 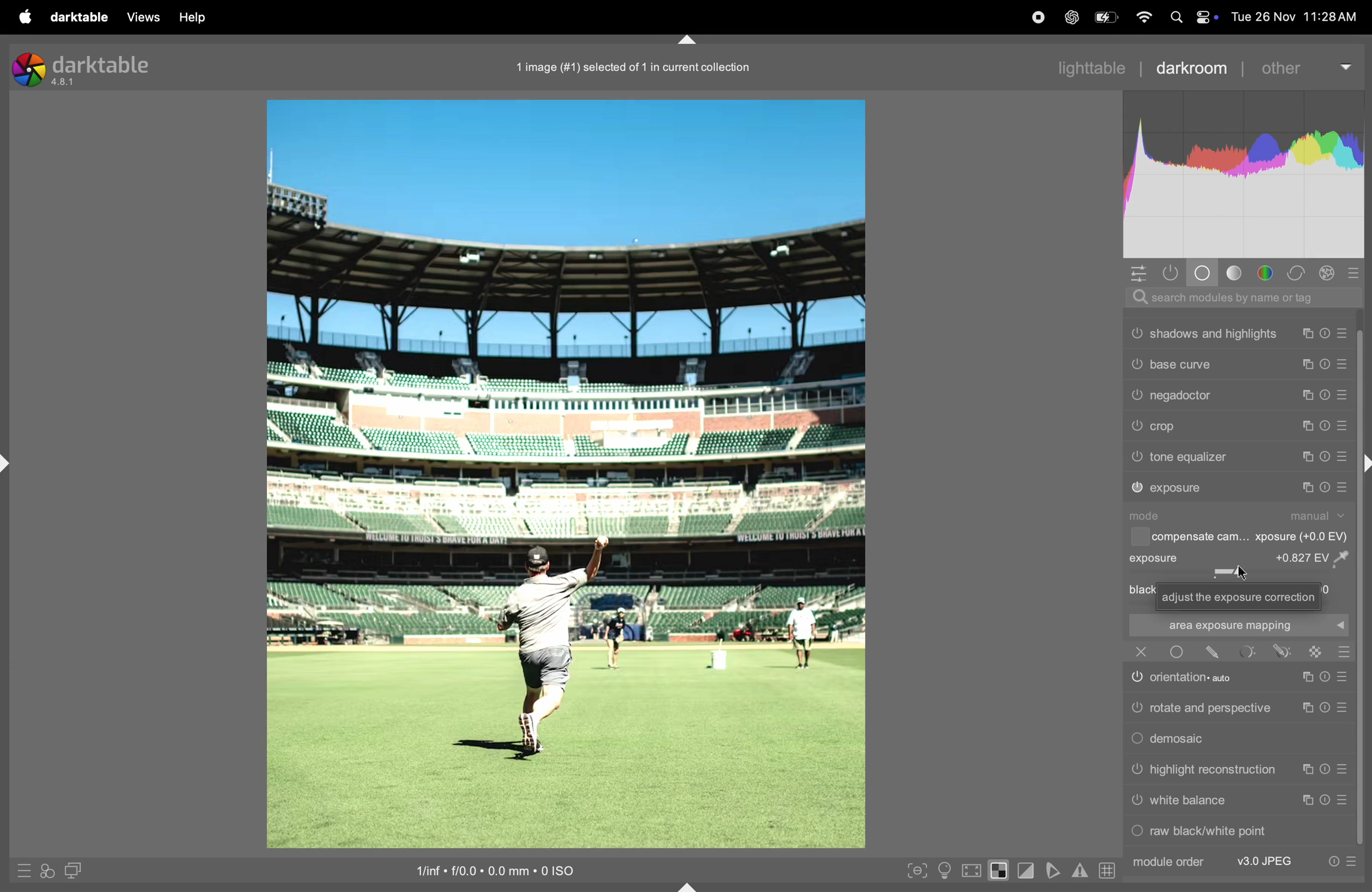 I want to click on area exposure mapping, so click(x=1237, y=625).